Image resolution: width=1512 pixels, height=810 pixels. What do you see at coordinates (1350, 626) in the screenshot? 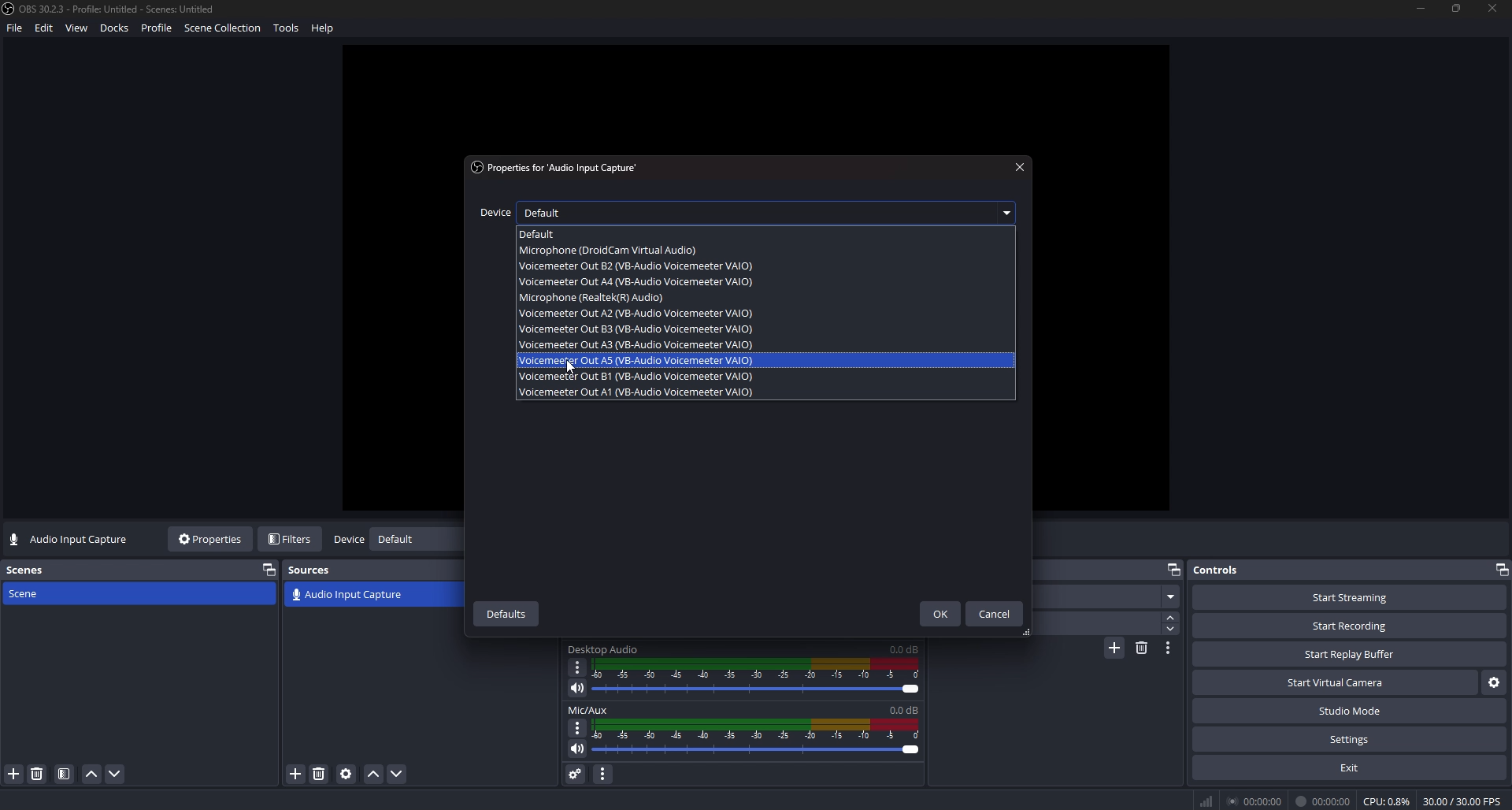
I see `start recording` at bounding box center [1350, 626].